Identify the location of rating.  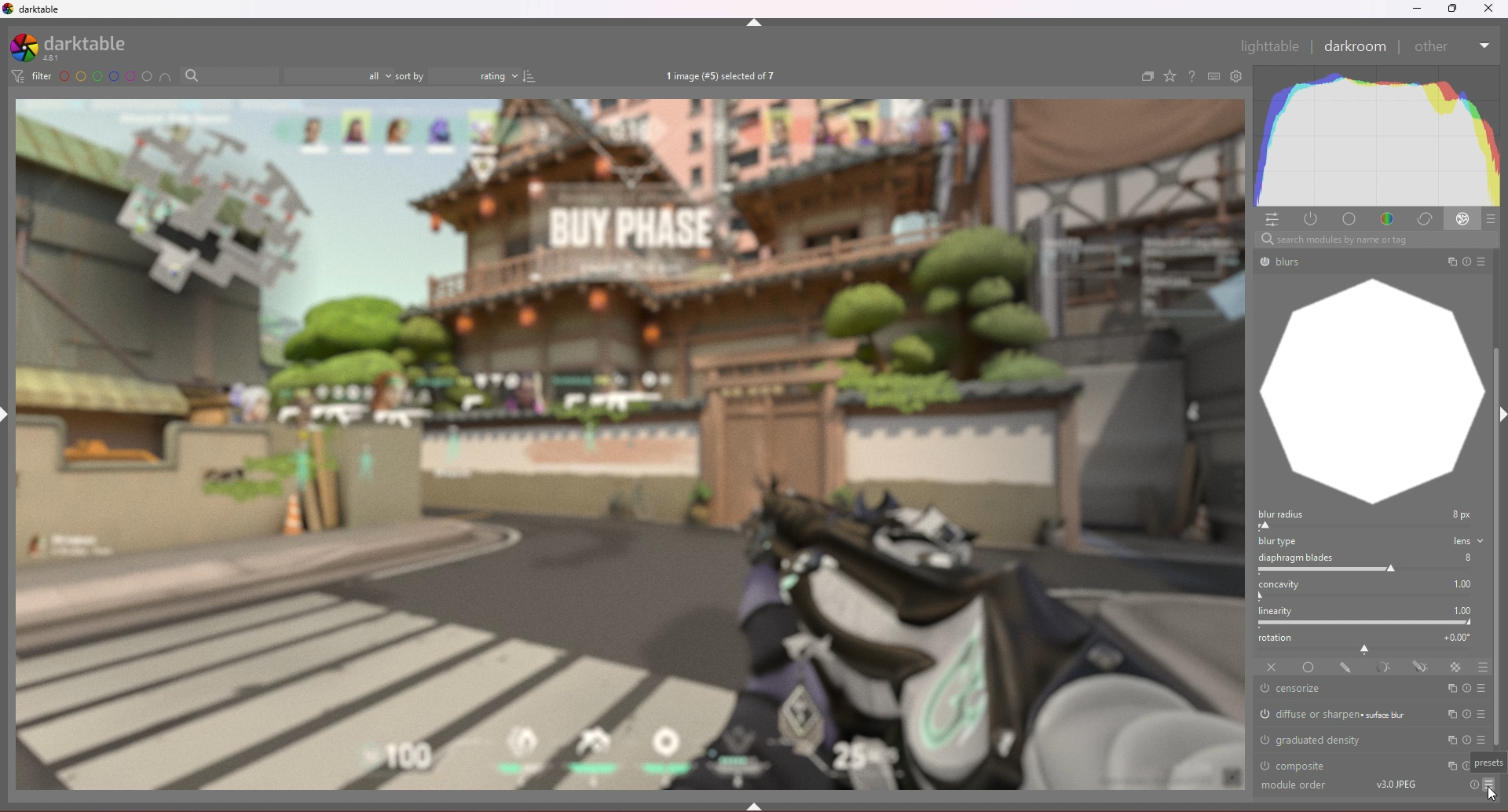
(474, 75).